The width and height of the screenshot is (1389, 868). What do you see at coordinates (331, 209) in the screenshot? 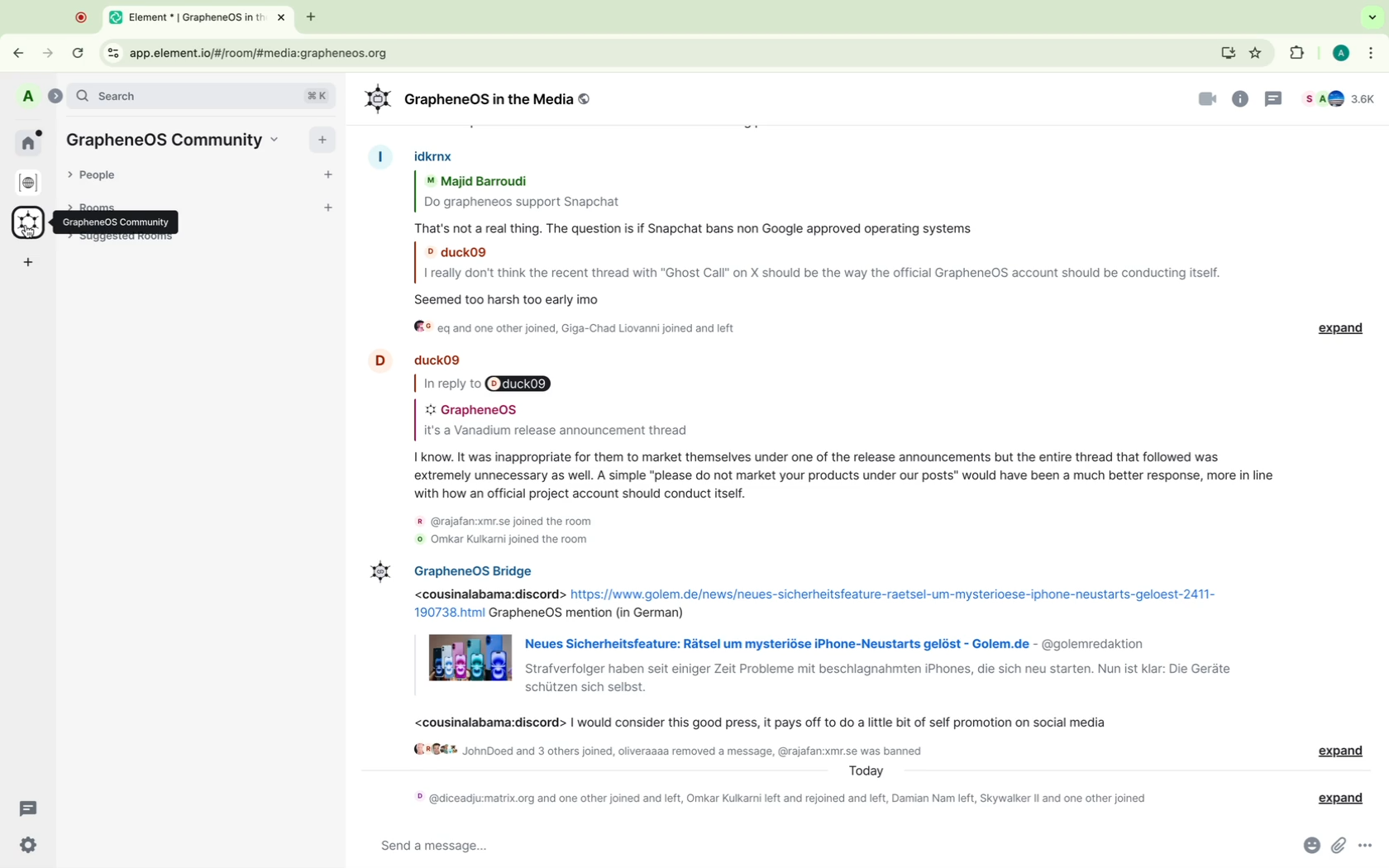
I see `add room` at bounding box center [331, 209].